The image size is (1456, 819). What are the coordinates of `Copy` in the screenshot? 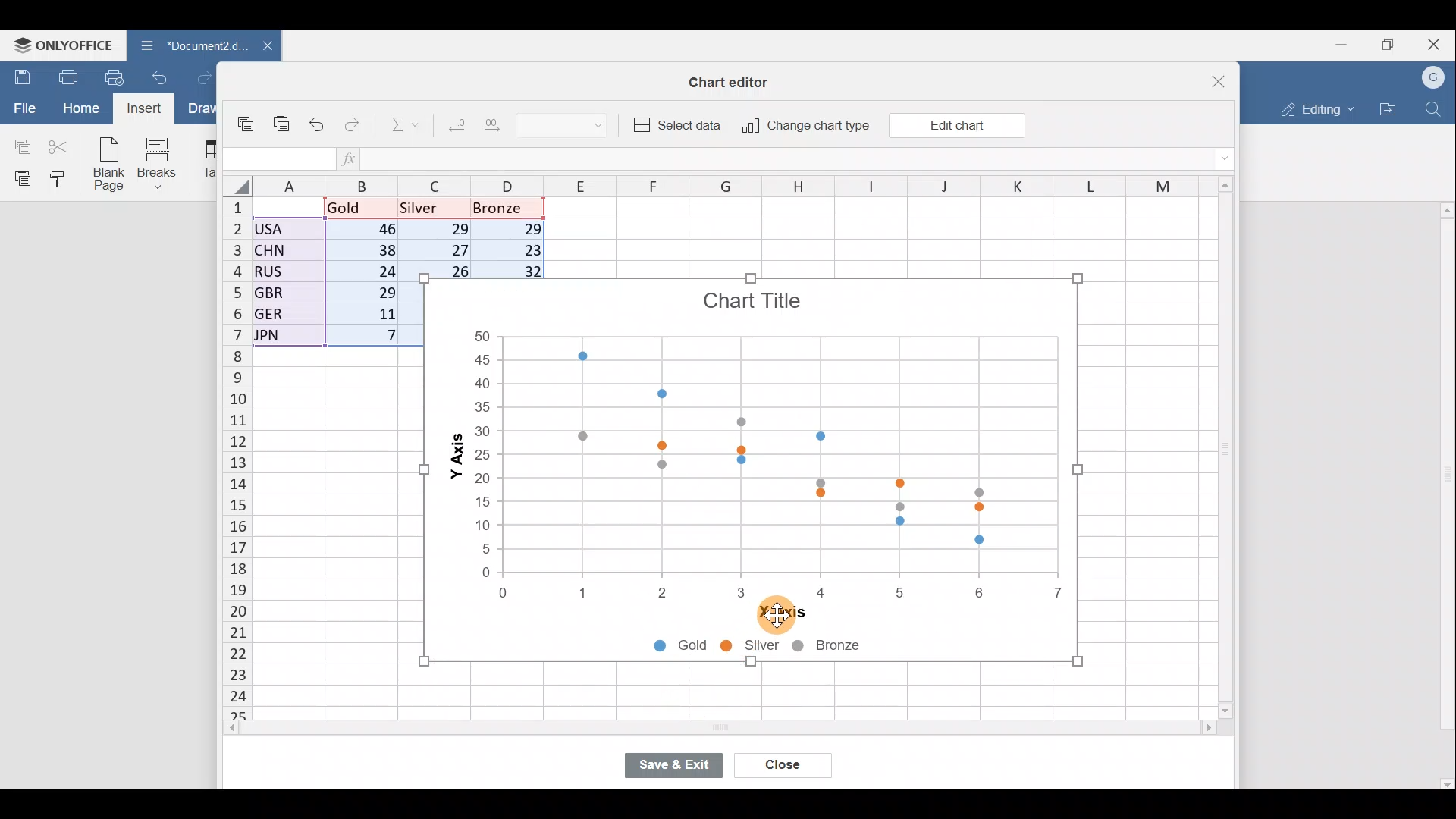 It's located at (247, 118).